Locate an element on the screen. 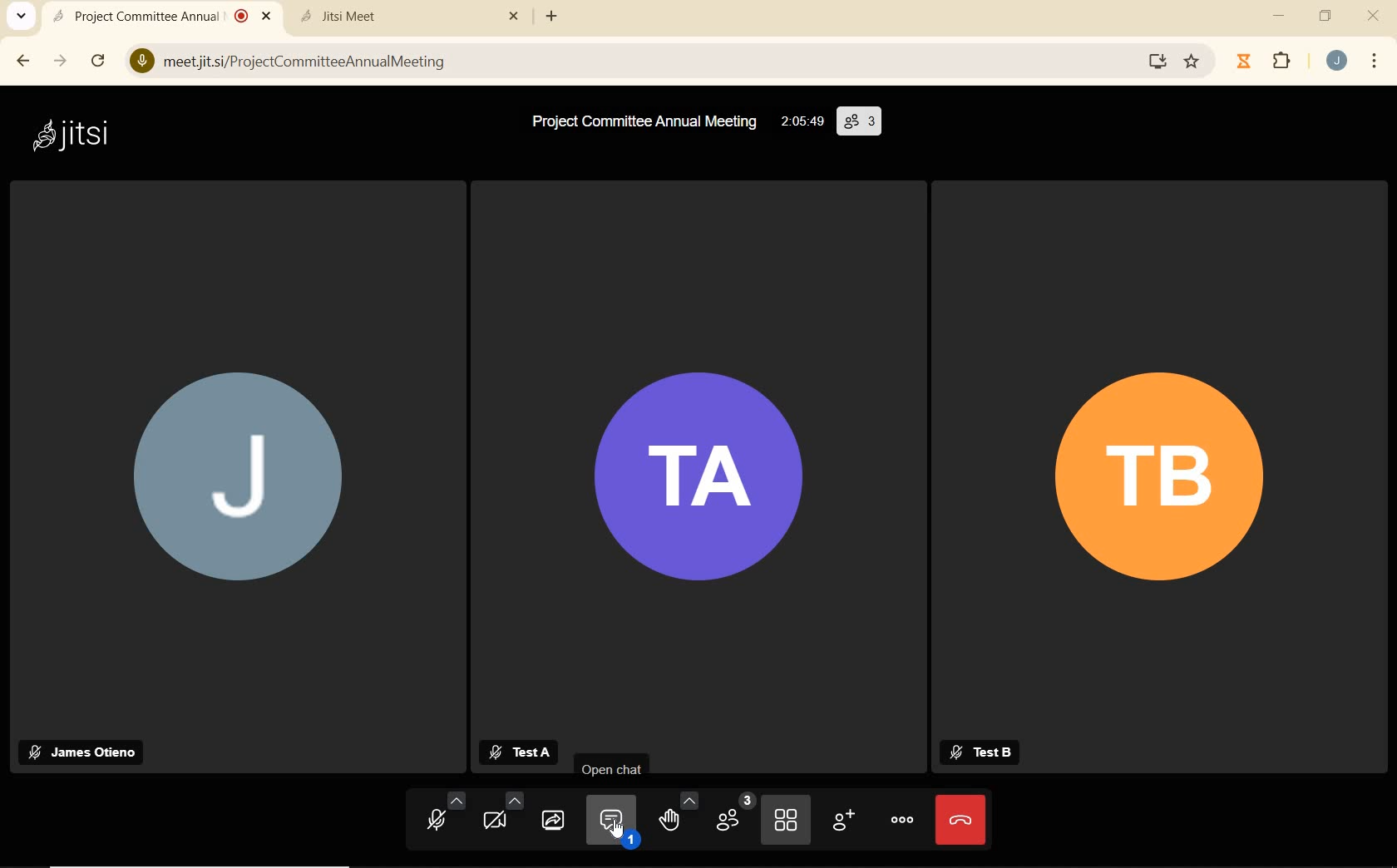 The width and height of the screenshot is (1397, 868). forward is located at coordinates (60, 61).